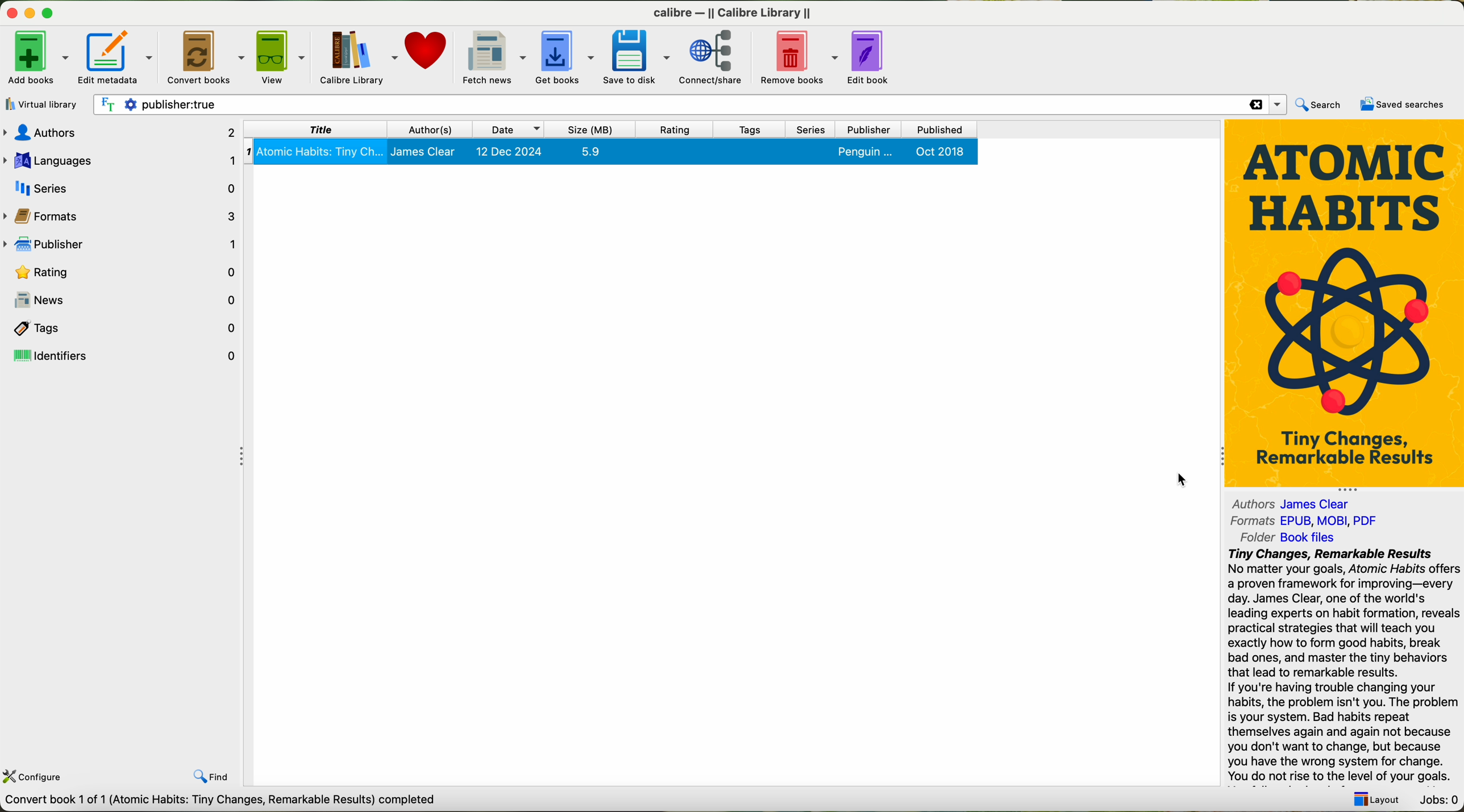  I want to click on add books, so click(35, 57).